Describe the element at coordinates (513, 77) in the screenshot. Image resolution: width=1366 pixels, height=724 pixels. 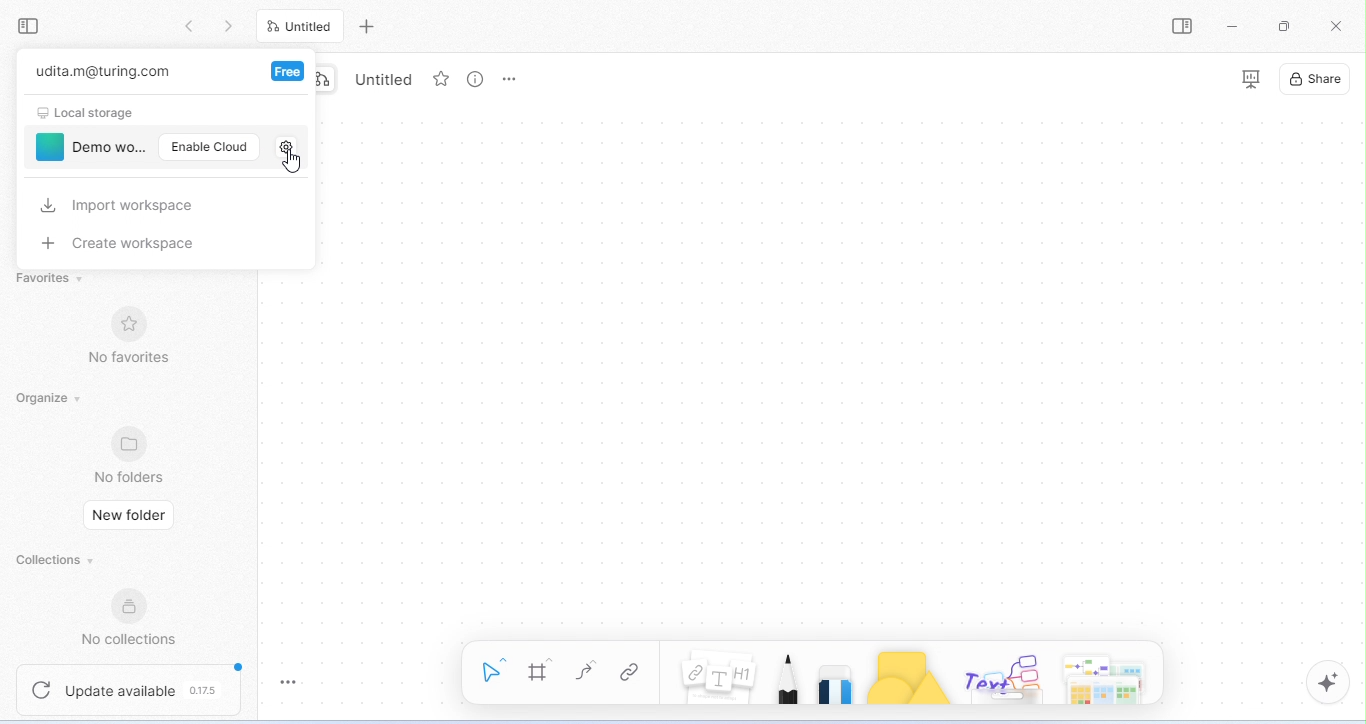
I see `rename and more` at that location.